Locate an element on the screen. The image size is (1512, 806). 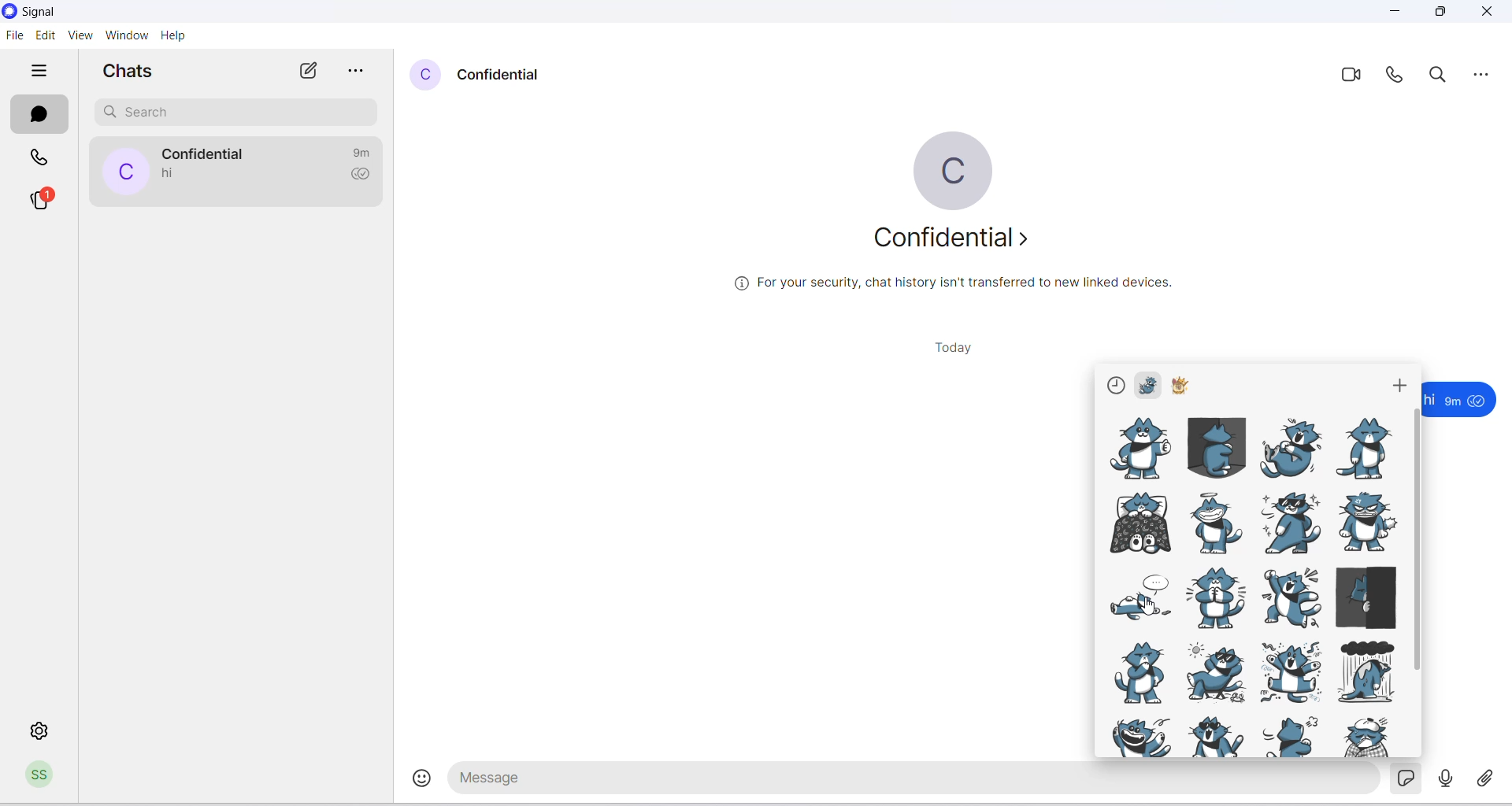
more option is located at coordinates (358, 72).